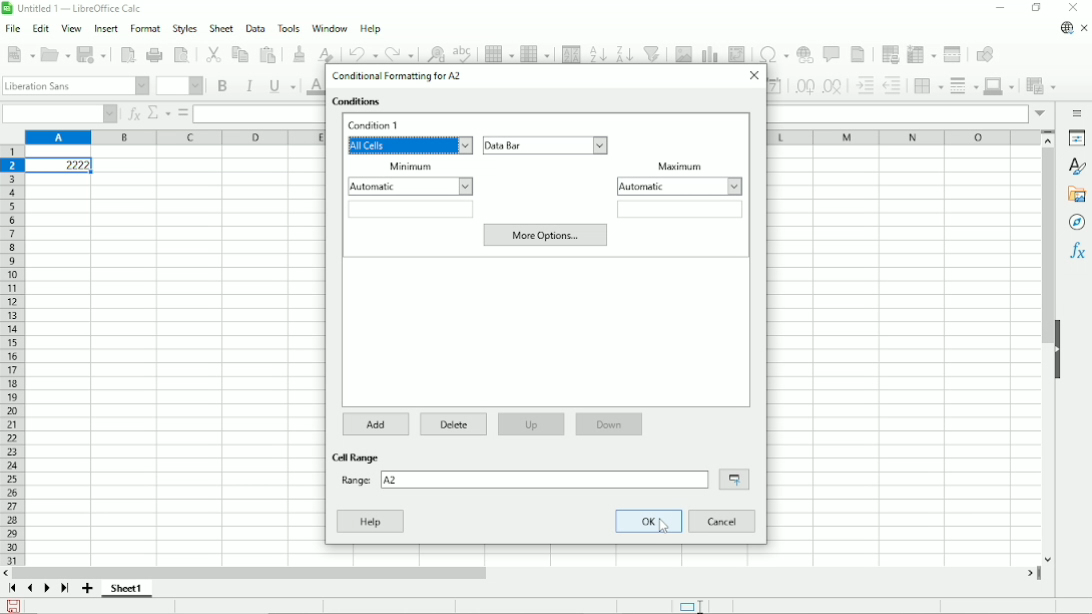 The height and width of the screenshot is (614, 1092). What do you see at coordinates (1079, 113) in the screenshot?
I see `Sidebar settings` at bounding box center [1079, 113].